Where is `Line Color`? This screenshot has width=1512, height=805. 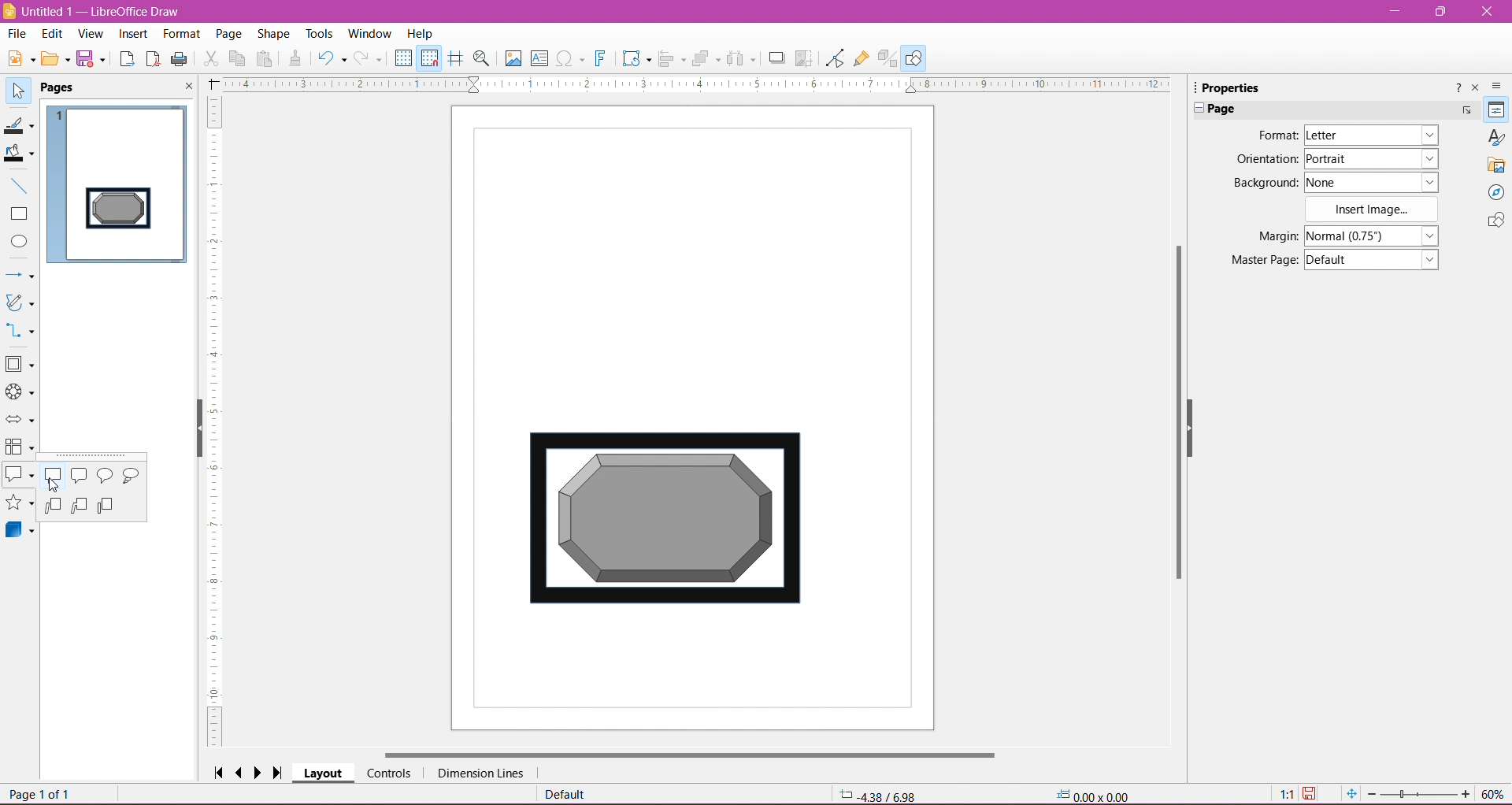
Line Color is located at coordinates (20, 127).